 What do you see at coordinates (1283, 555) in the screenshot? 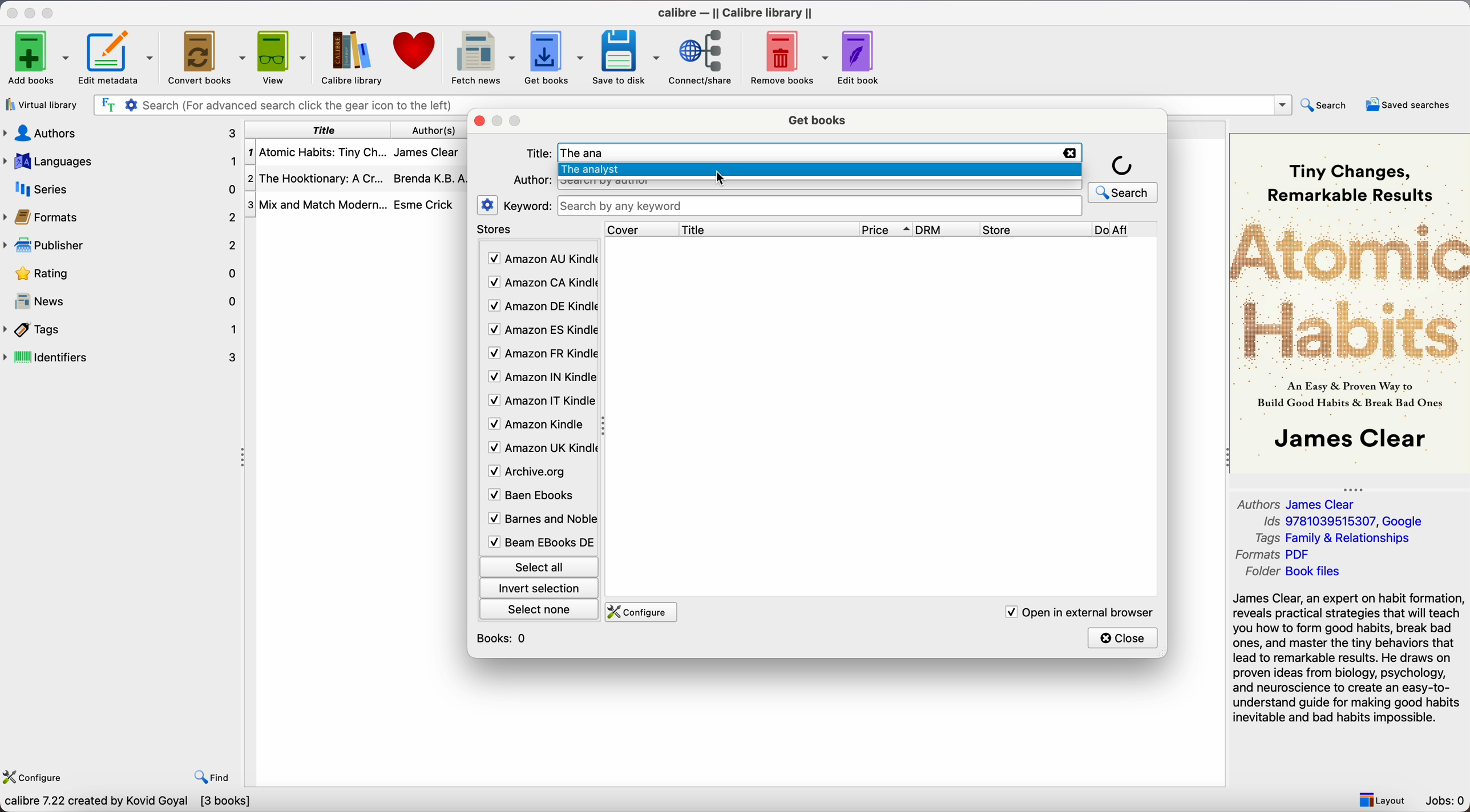
I see `Formats PDF` at bounding box center [1283, 555].